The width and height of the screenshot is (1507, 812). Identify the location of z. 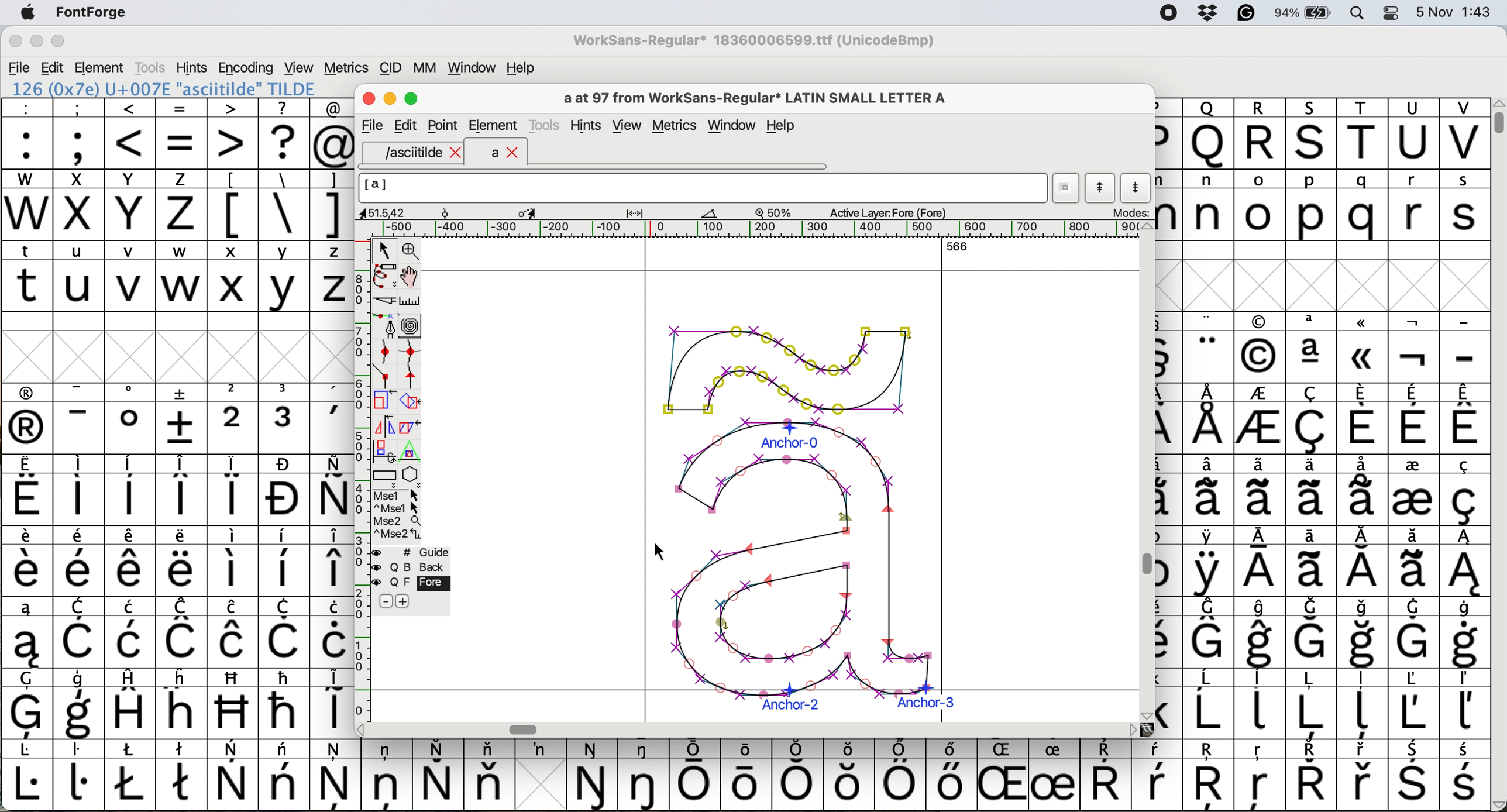
(332, 276).